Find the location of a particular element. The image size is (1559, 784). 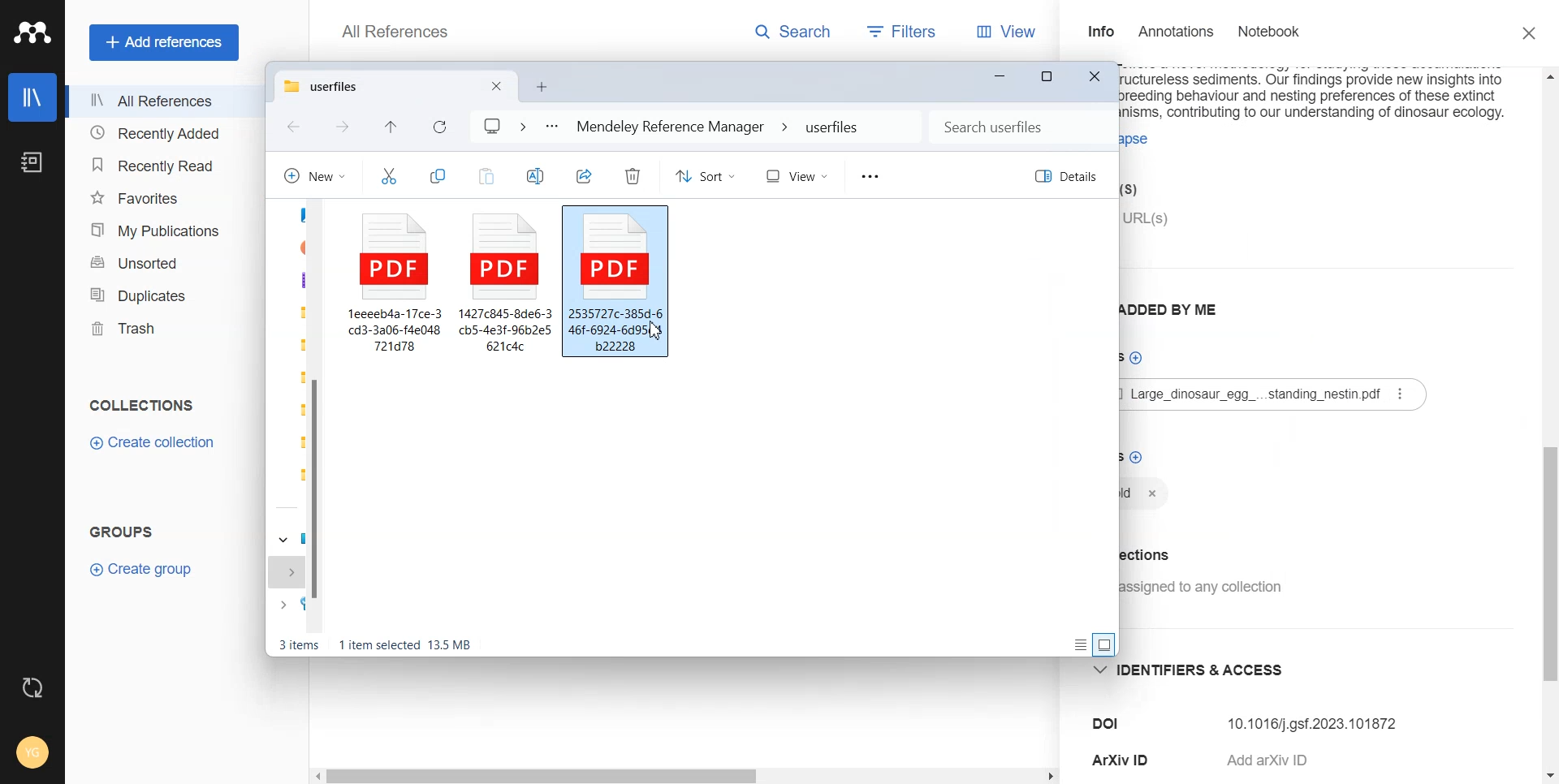

Recently Added is located at coordinates (165, 132).